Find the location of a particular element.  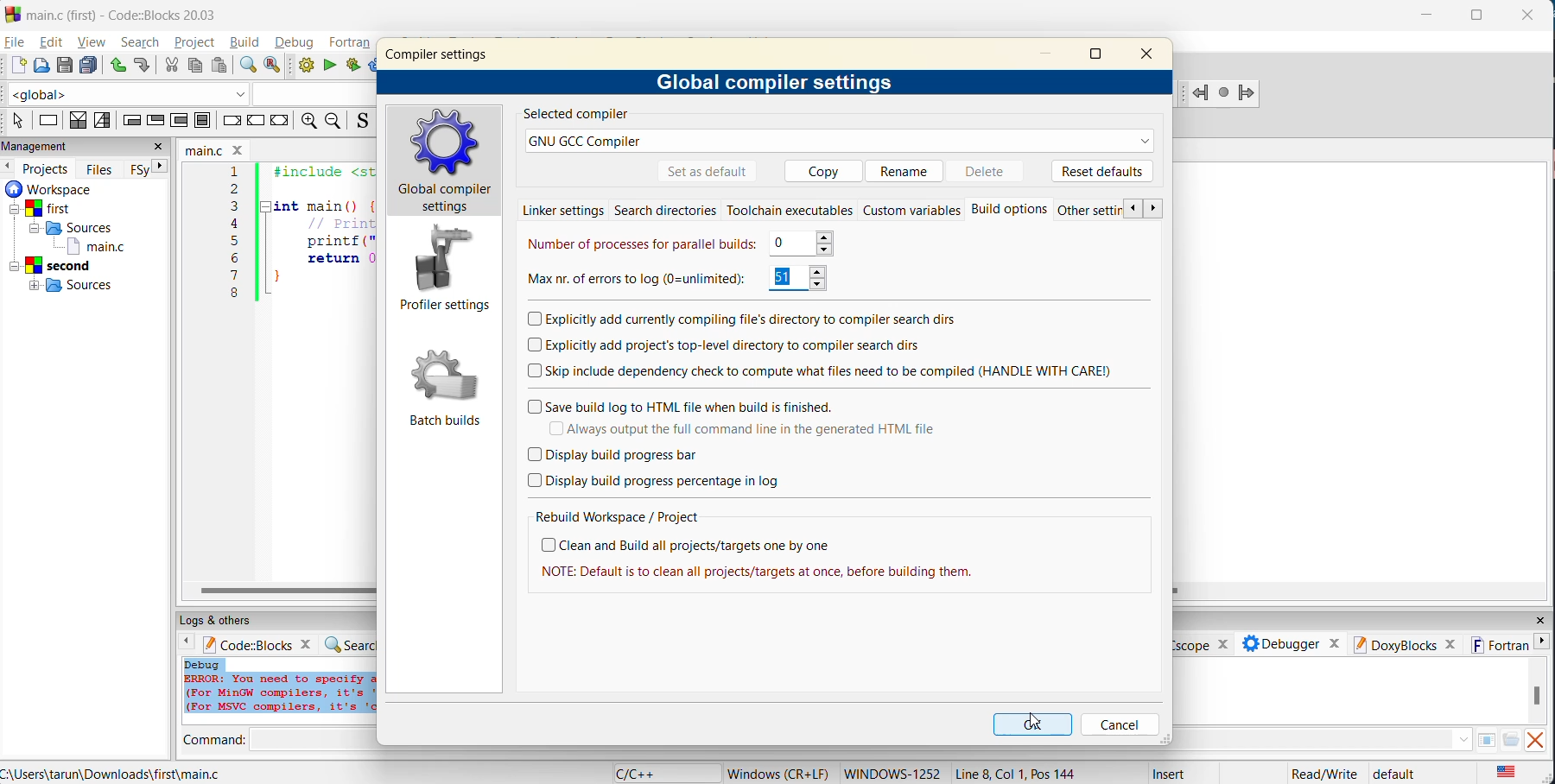

Last jump is located at coordinates (1222, 93).